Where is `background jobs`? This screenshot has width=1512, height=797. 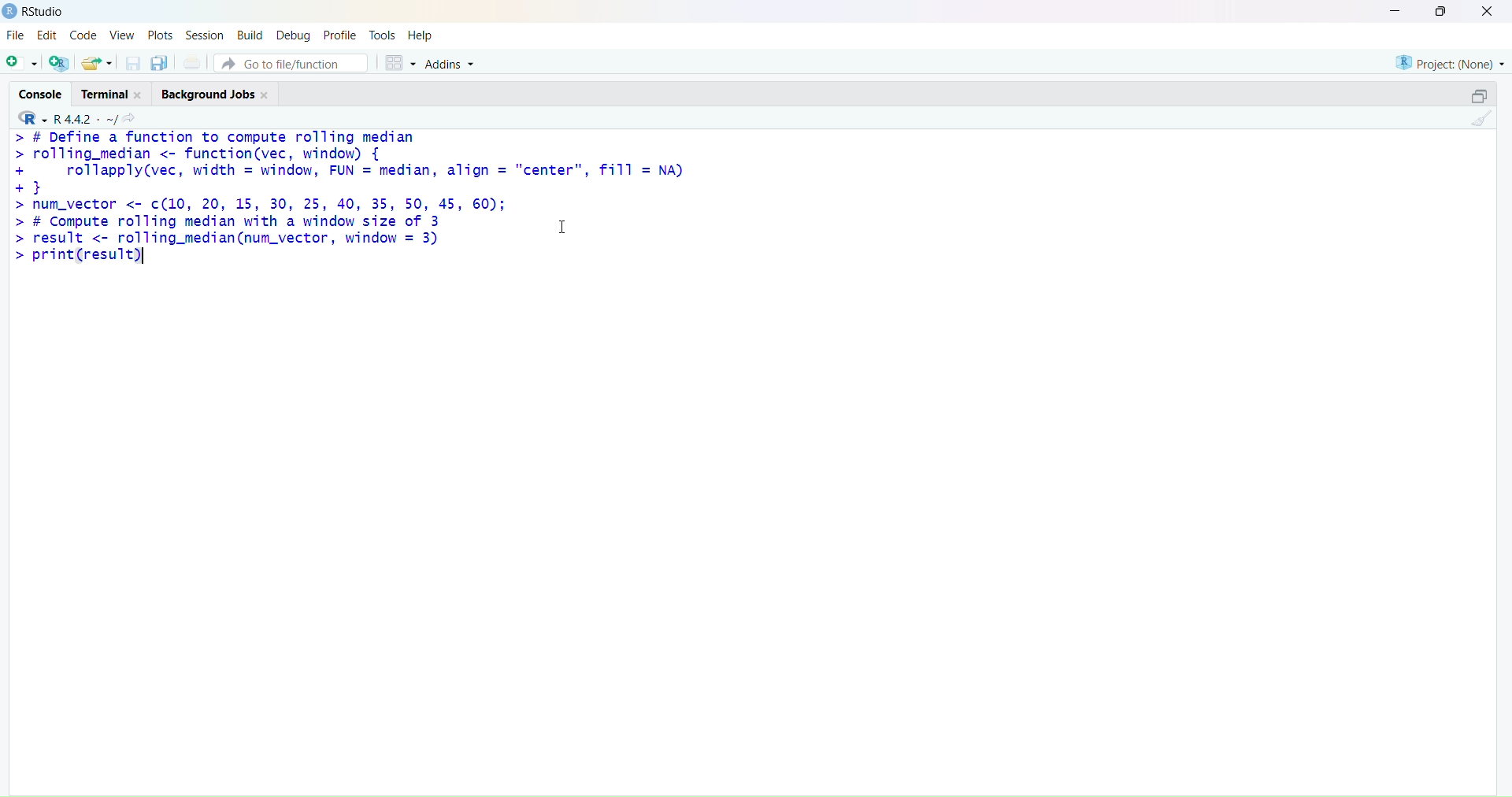
background jobs is located at coordinates (208, 96).